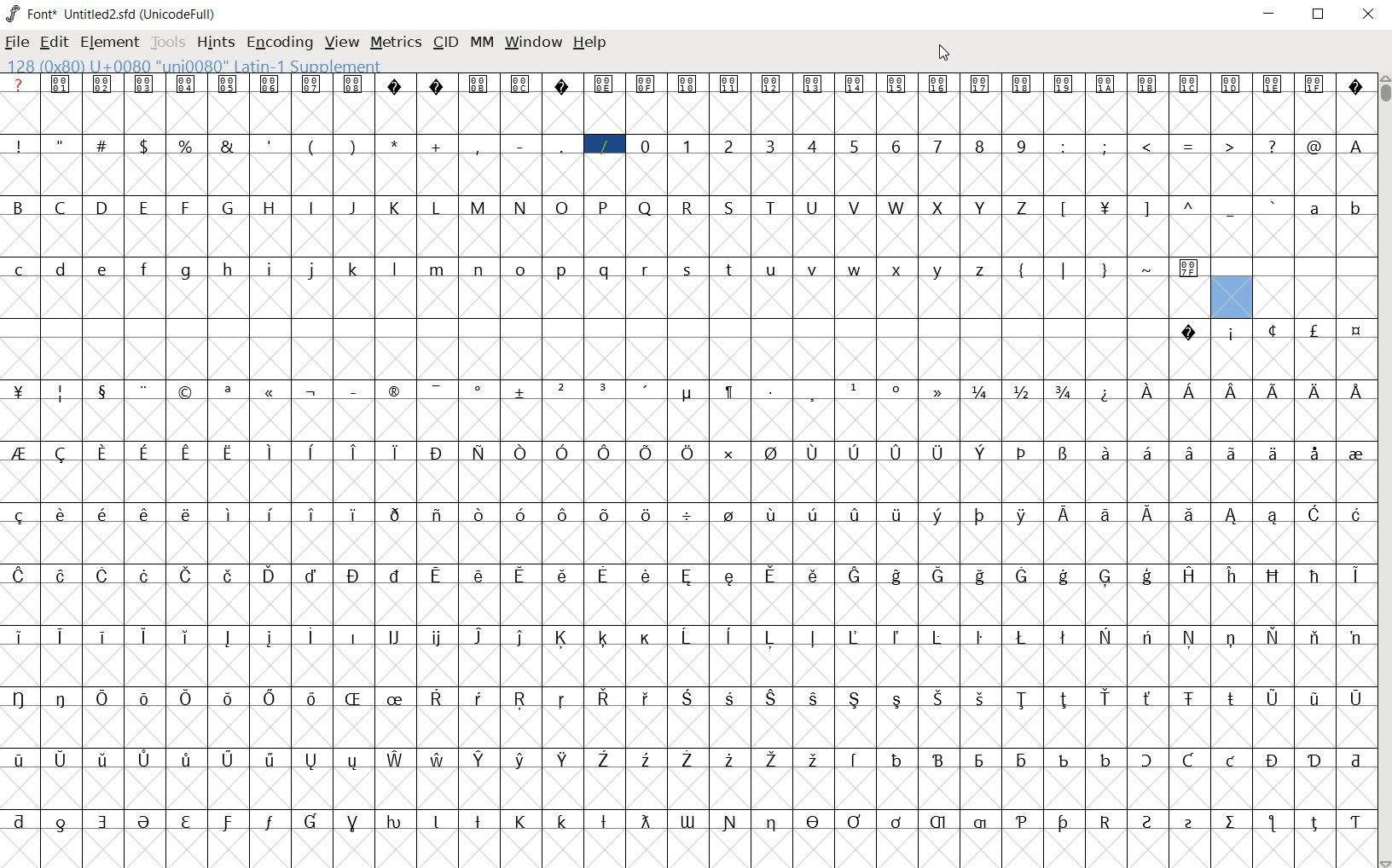 This screenshot has width=1392, height=868. Describe the element at coordinates (729, 577) in the screenshot. I see `glyph` at that location.